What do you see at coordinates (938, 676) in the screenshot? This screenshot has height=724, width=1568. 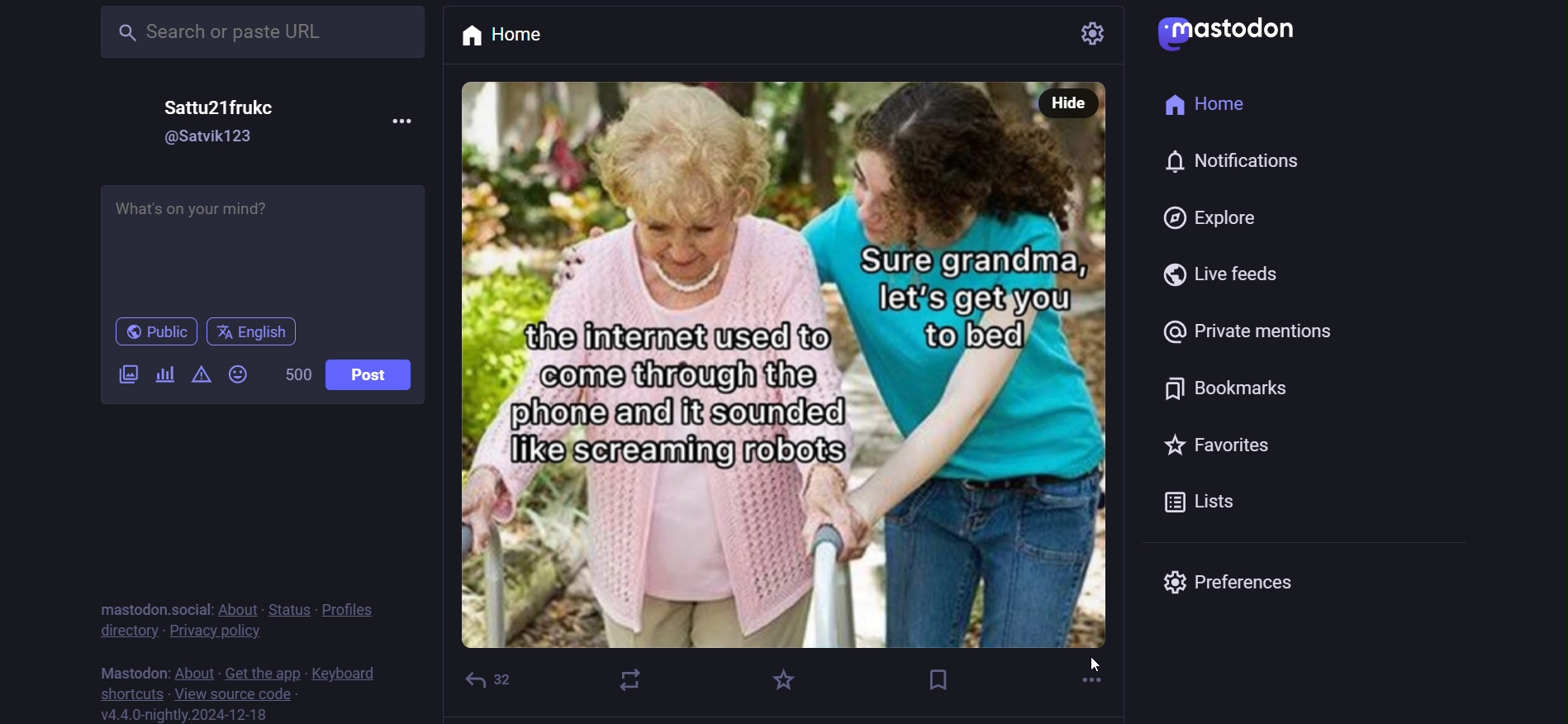 I see `bookmark` at bounding box center [938, 676].